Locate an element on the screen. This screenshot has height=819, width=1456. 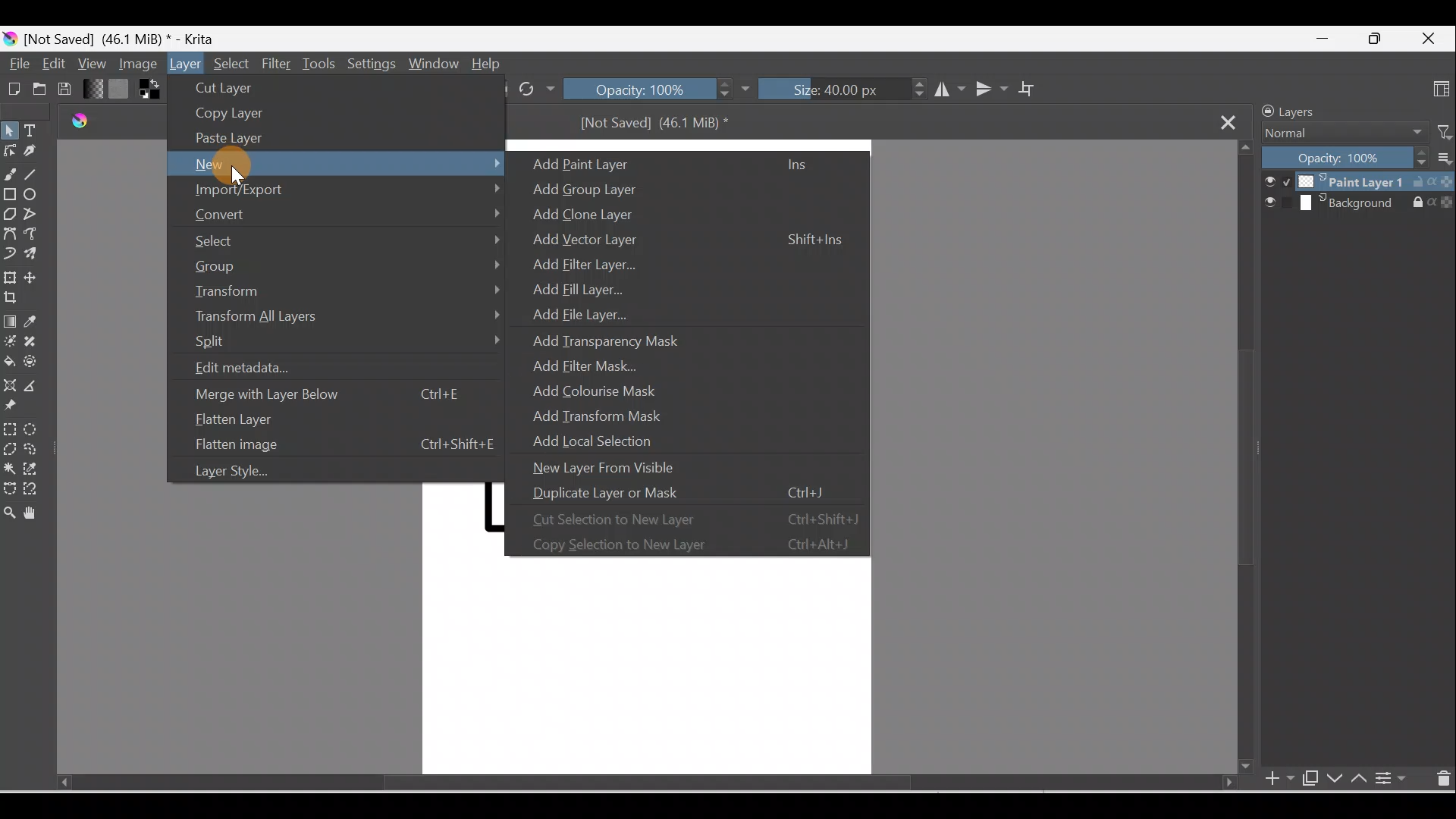
Add  transform mask is located at coordinates (609, 416).